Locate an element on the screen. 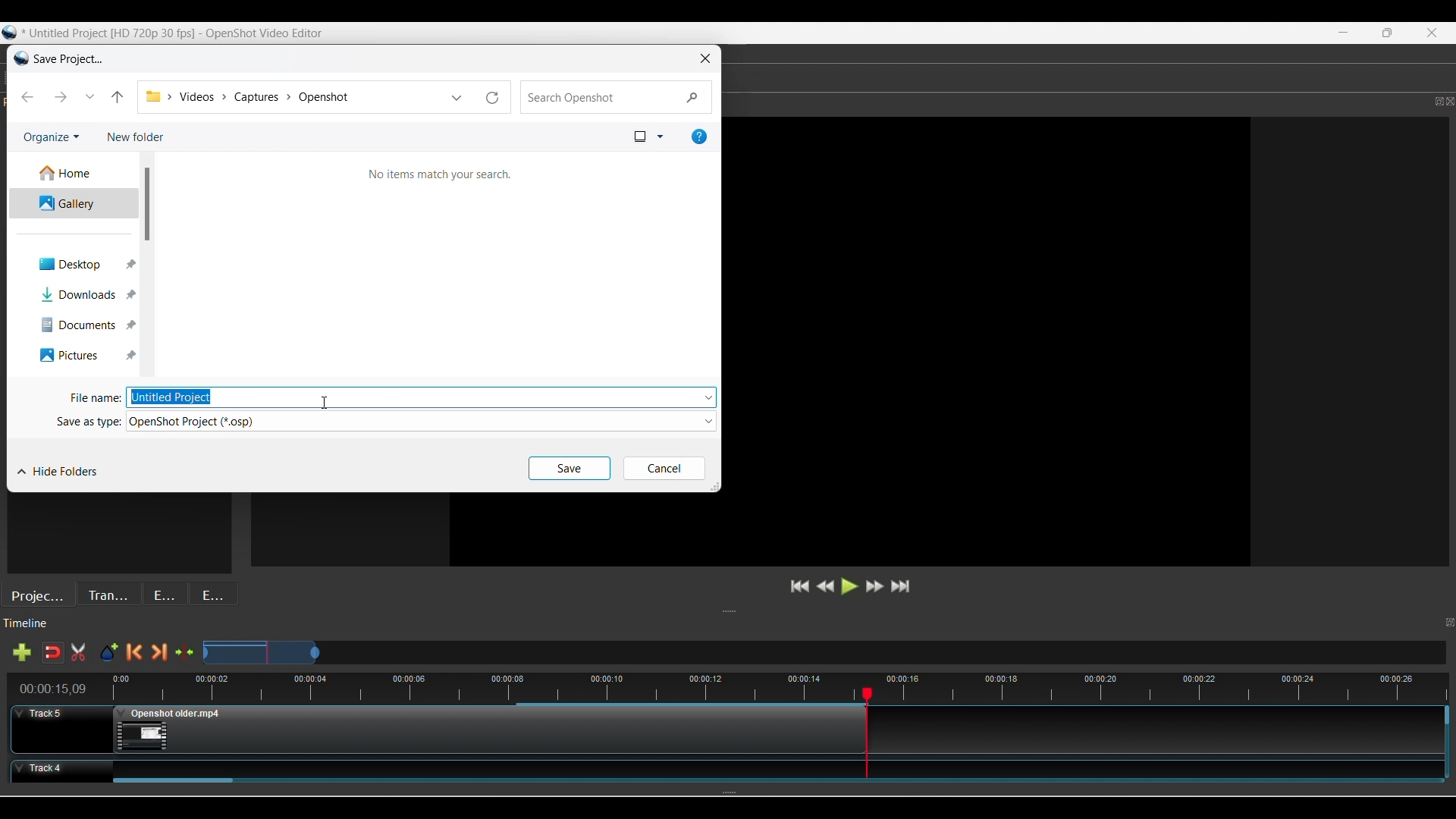  Timeline Panel is located at coordinates (714, 627).